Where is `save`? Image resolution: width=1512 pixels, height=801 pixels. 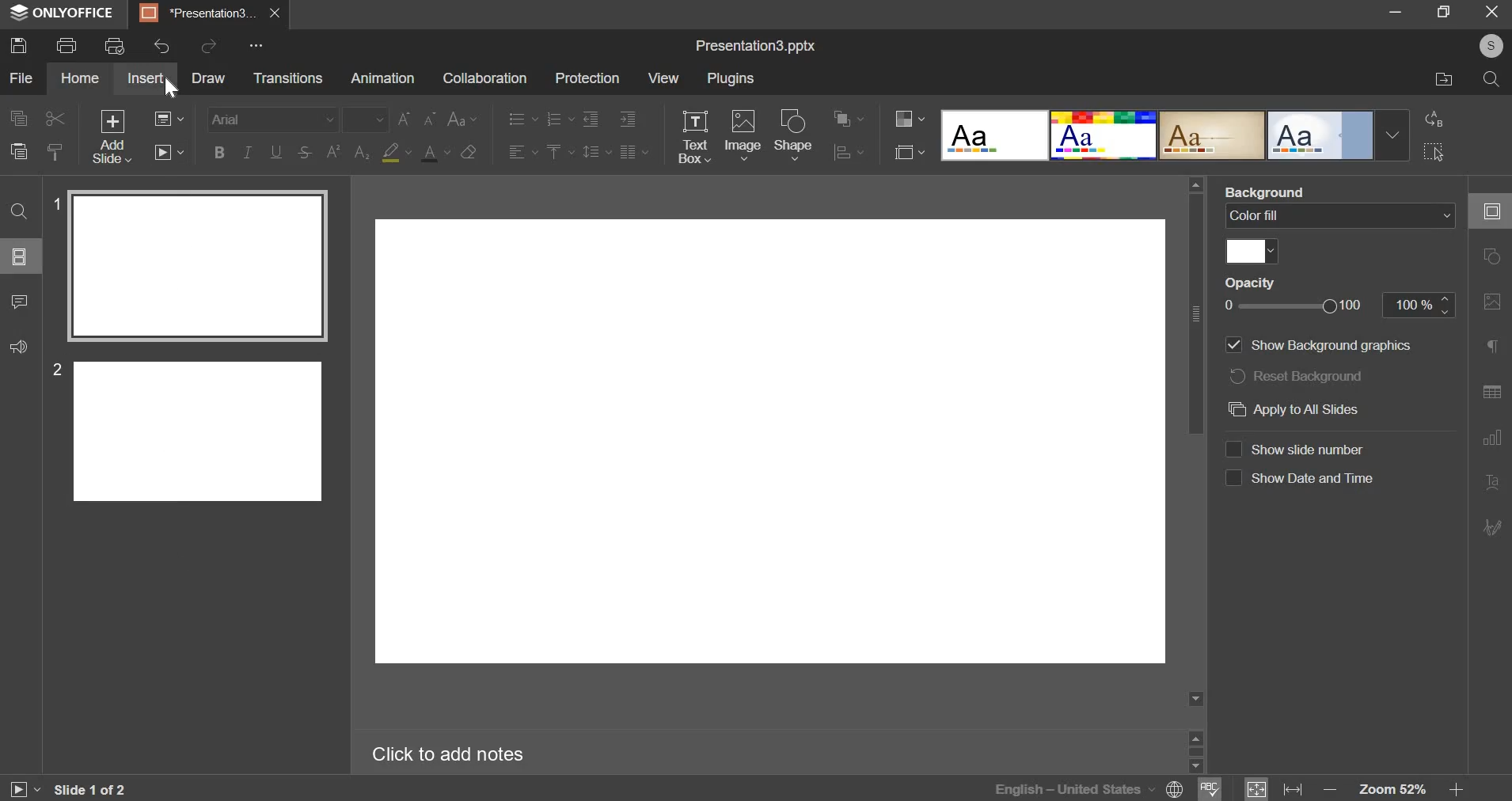
save is located at coordinates (19, 44).